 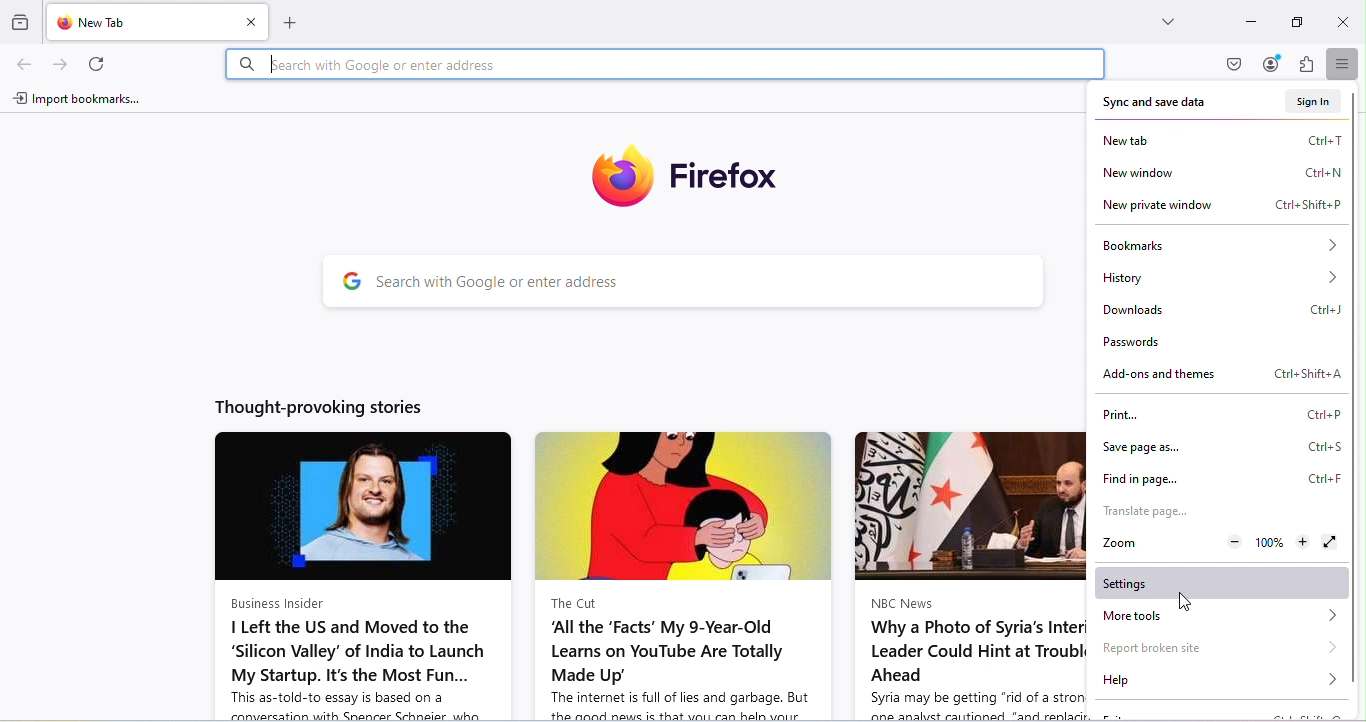 What do you see at coordinates (1343, 21) in the screenshot?
I see `Close` at bounding box center [1343, 21].